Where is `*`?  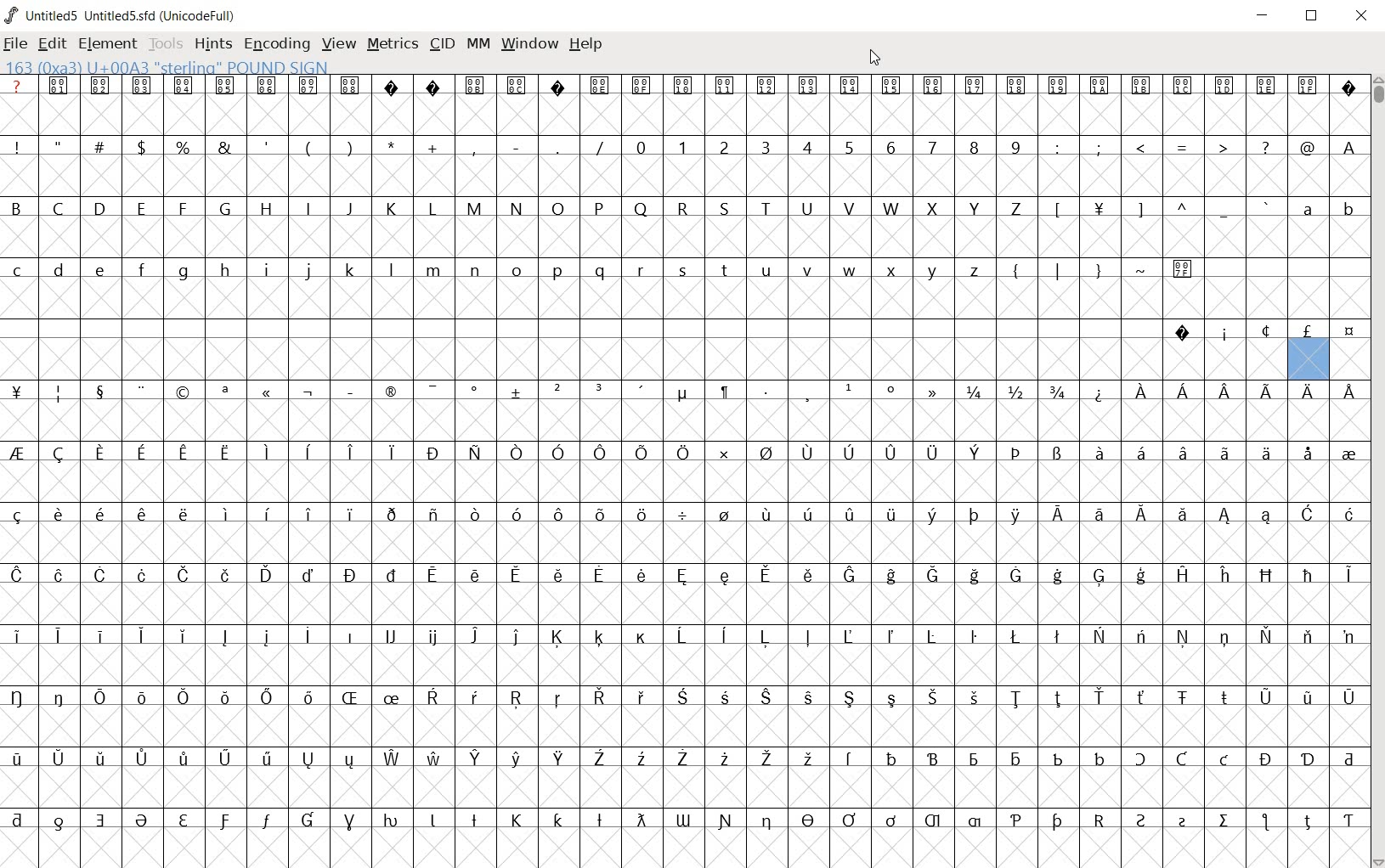
* is located at coordinates (393, 145).